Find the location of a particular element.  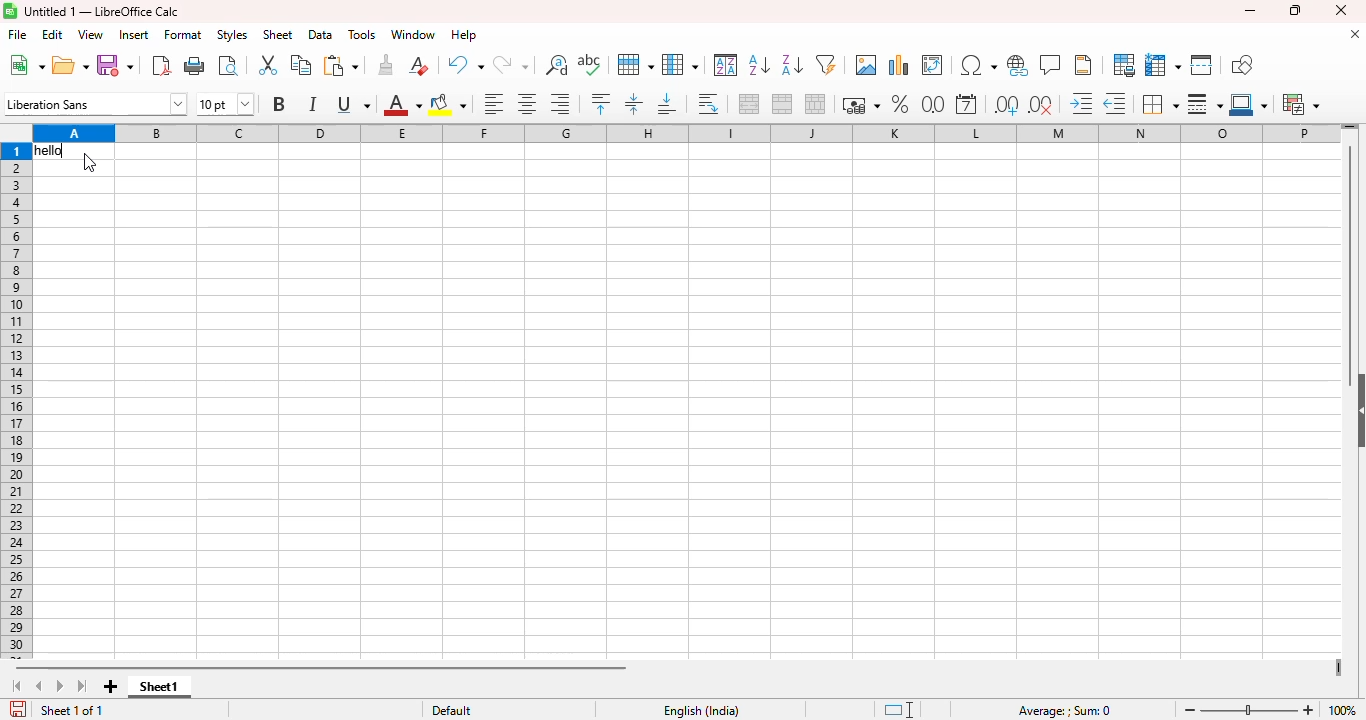

insert image is located at coordinates (899, 65).